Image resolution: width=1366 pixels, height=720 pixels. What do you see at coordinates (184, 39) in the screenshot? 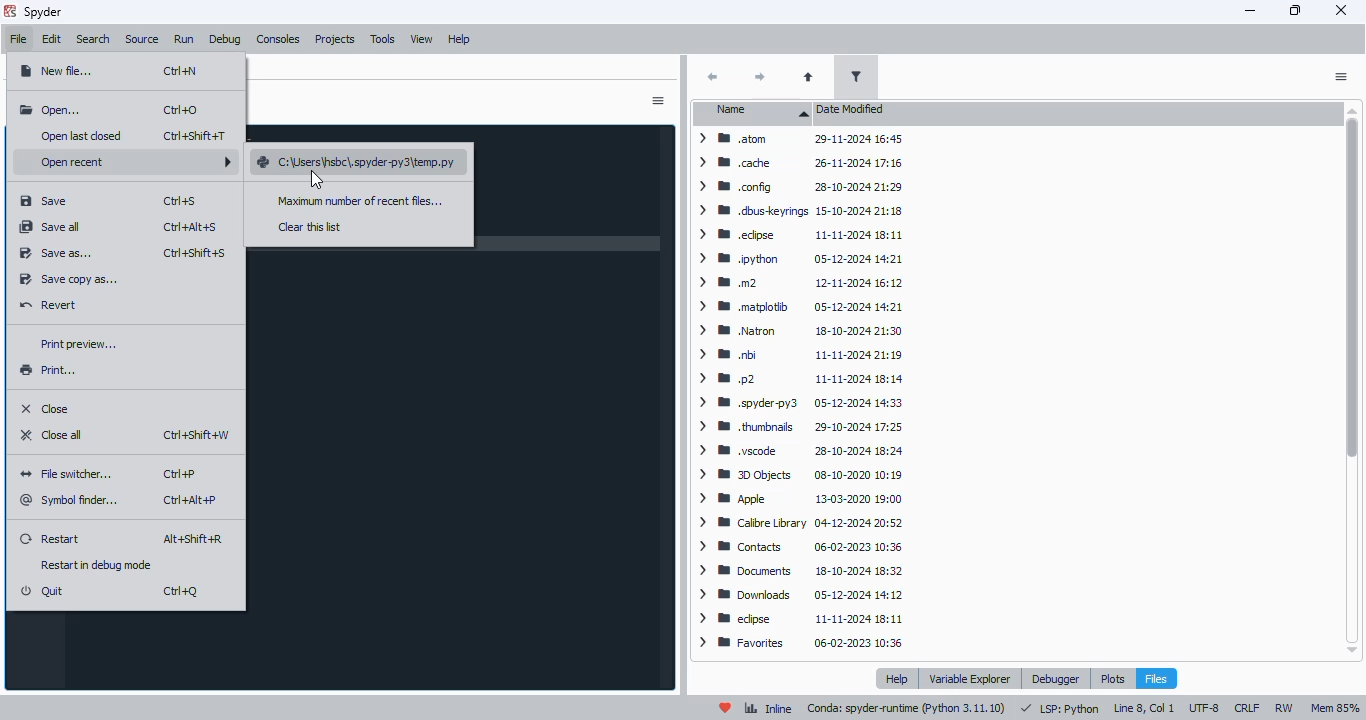
I see `run` at bounding box center [184, 39].